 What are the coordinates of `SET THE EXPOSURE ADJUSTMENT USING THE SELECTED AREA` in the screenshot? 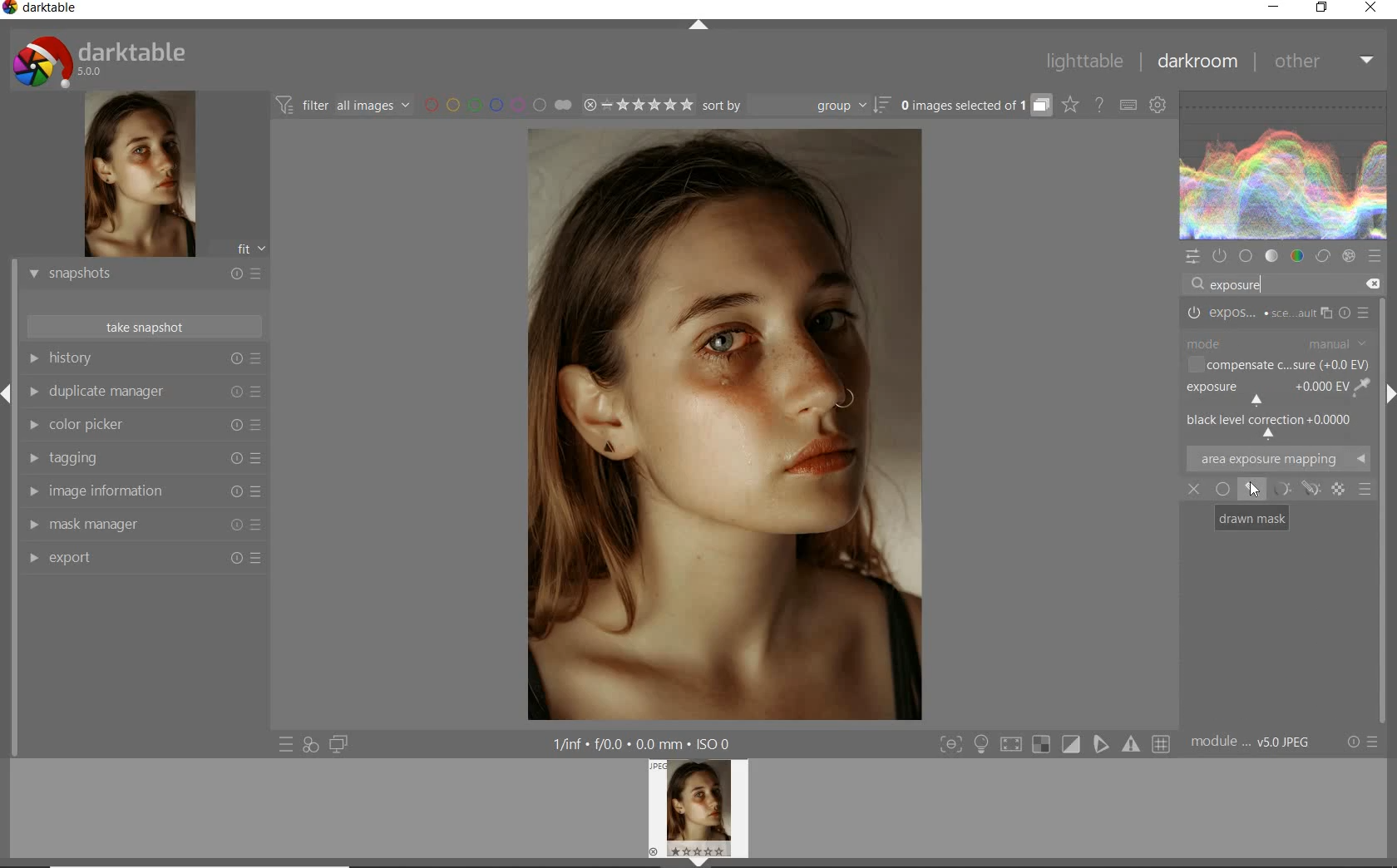 It's located at (1360, 387).